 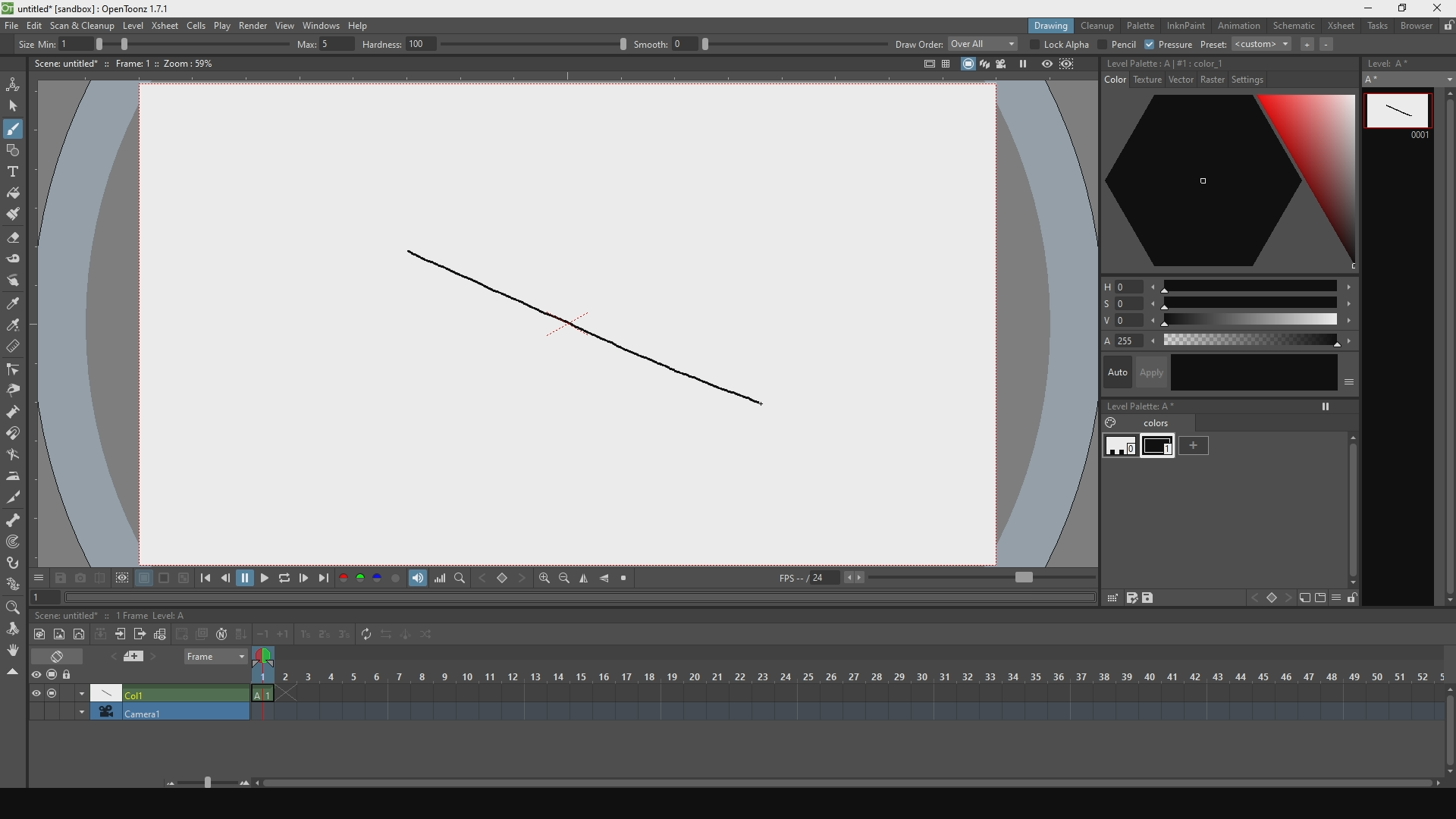 What do you see at coordinates (1447, 730) in the screenshot?
I see `scroll bar` at bounding box center [1447, 730].